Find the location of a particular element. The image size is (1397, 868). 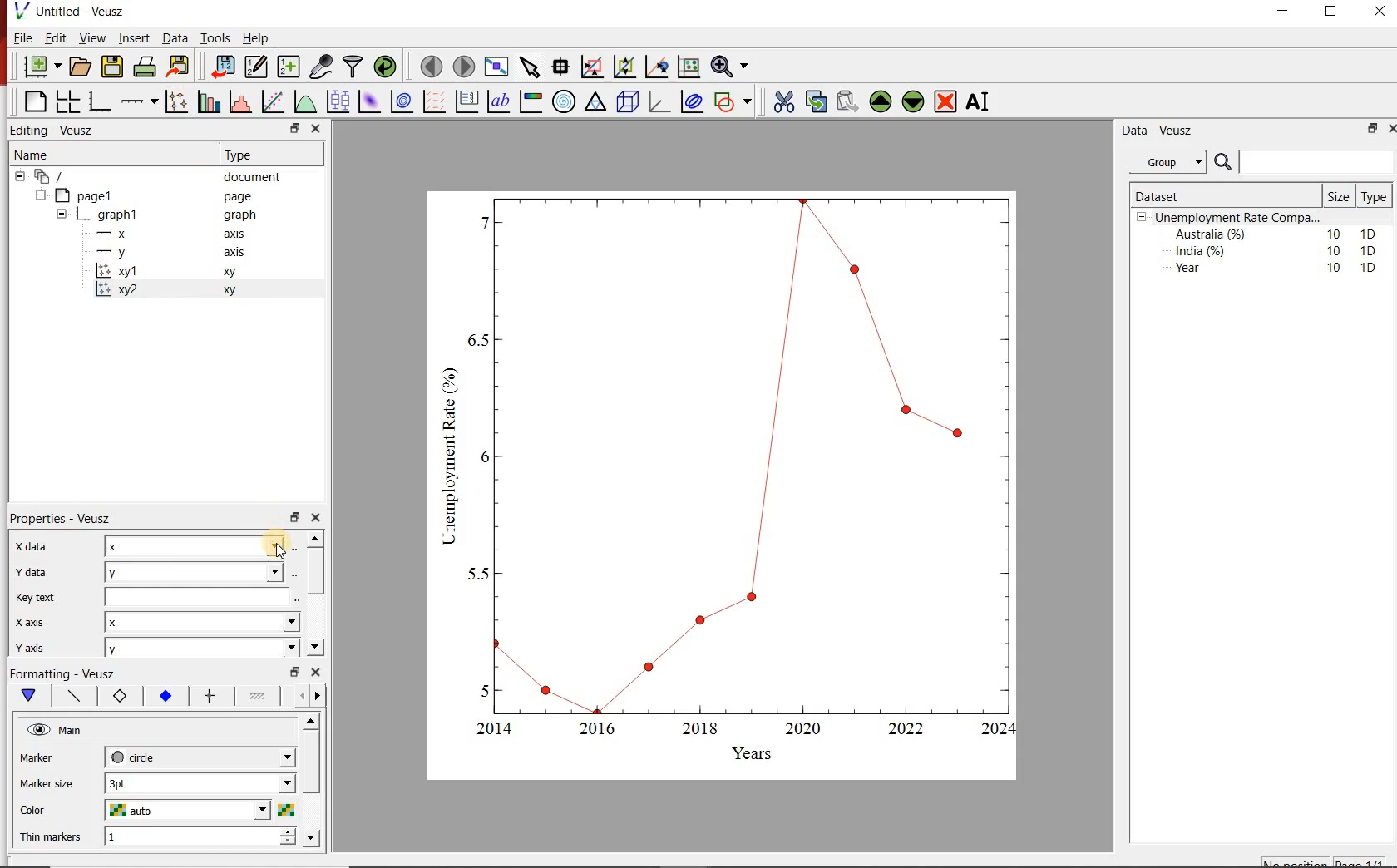

x axis is located at coordinates (31, 622).